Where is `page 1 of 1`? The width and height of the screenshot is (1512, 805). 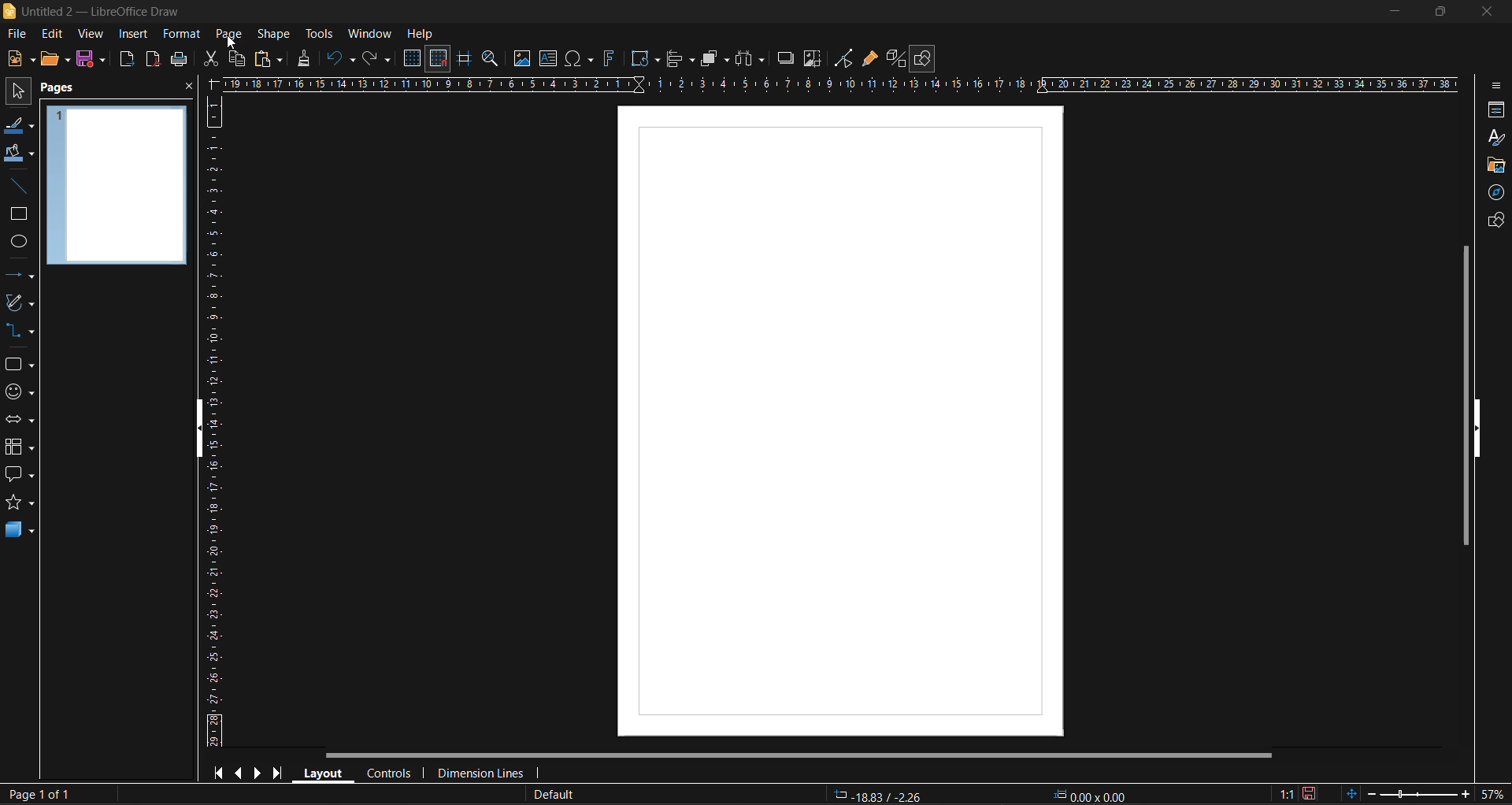 page 1 of 1 is located at coordinates (38, 792).